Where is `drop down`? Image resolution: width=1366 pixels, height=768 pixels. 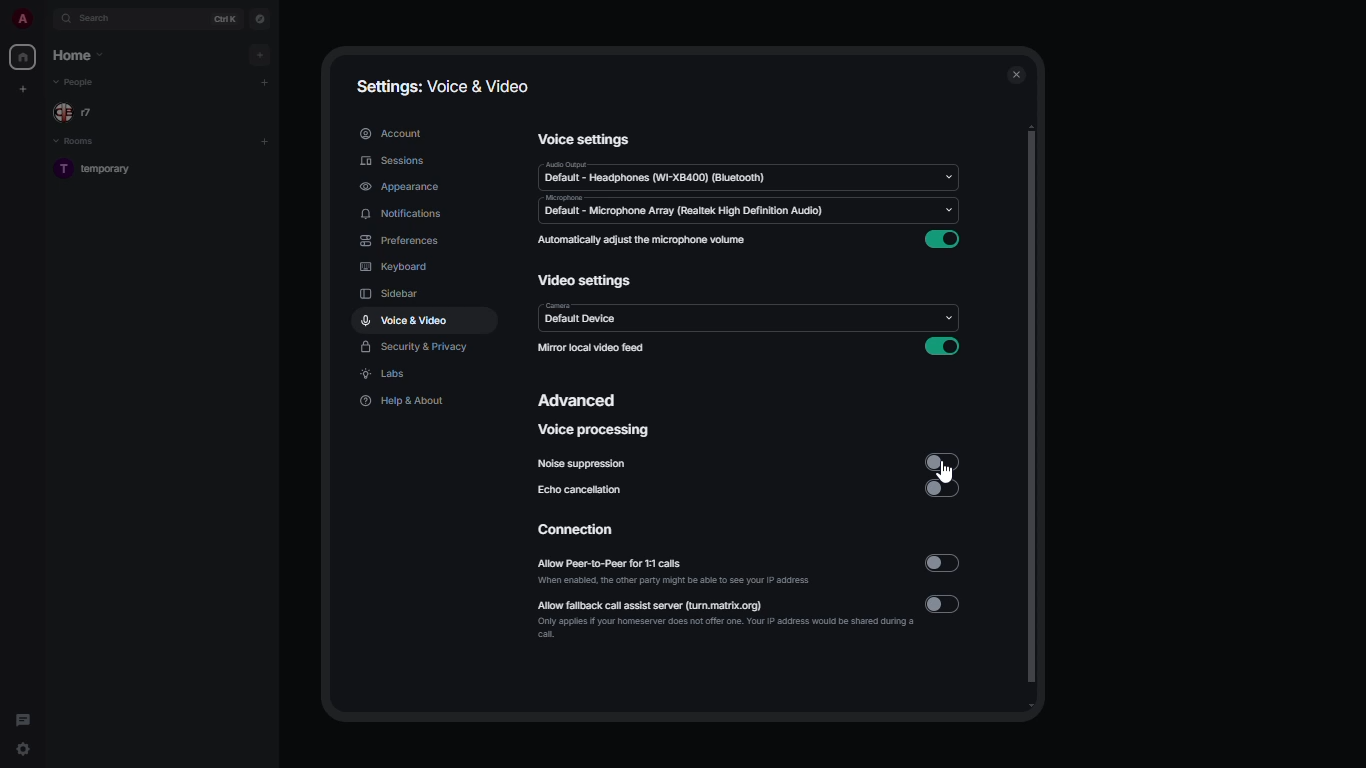
drop down is located at coordinates (947, 320).